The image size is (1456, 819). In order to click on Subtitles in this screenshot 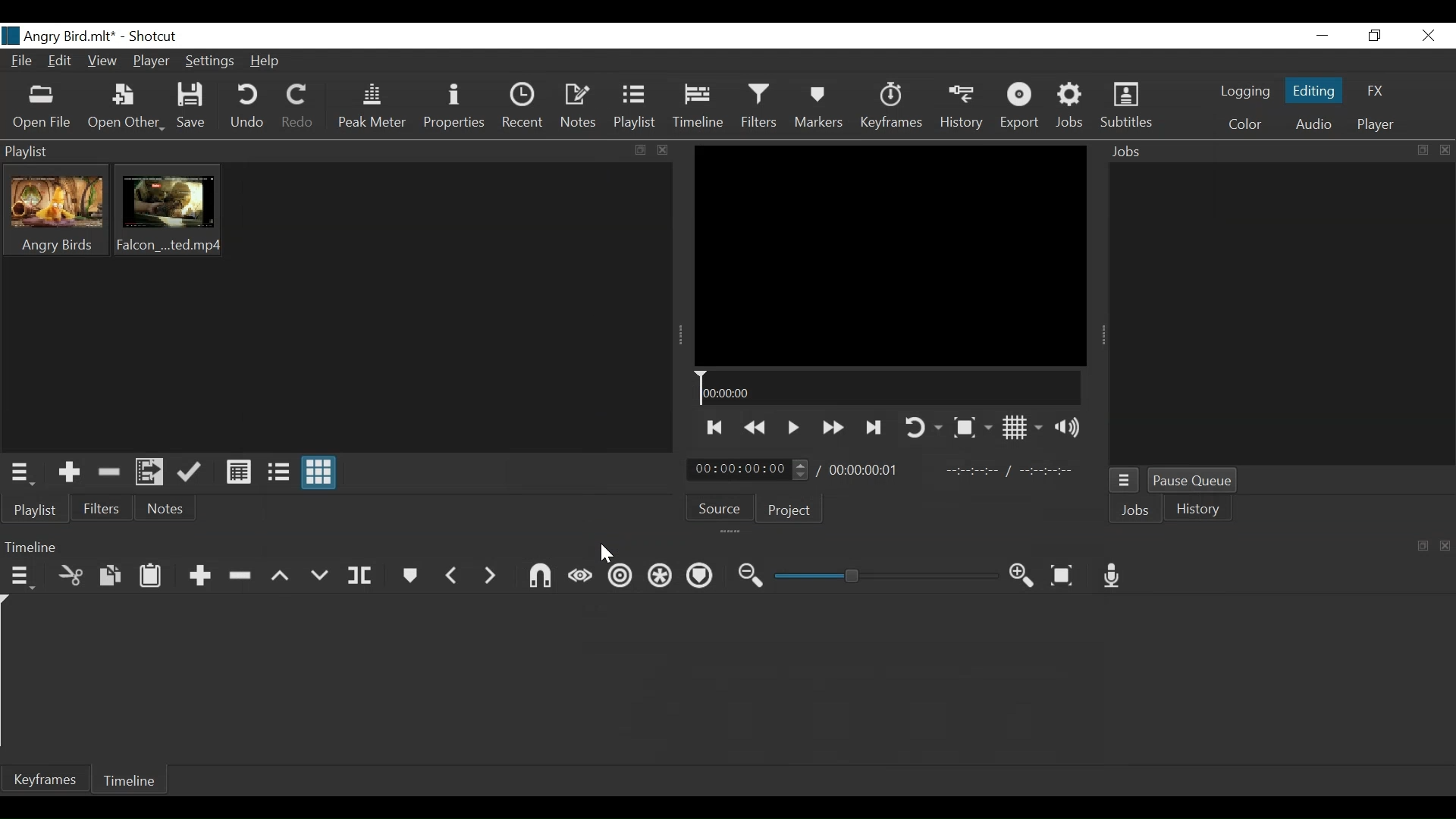, I will do `click(1129, 106)`.